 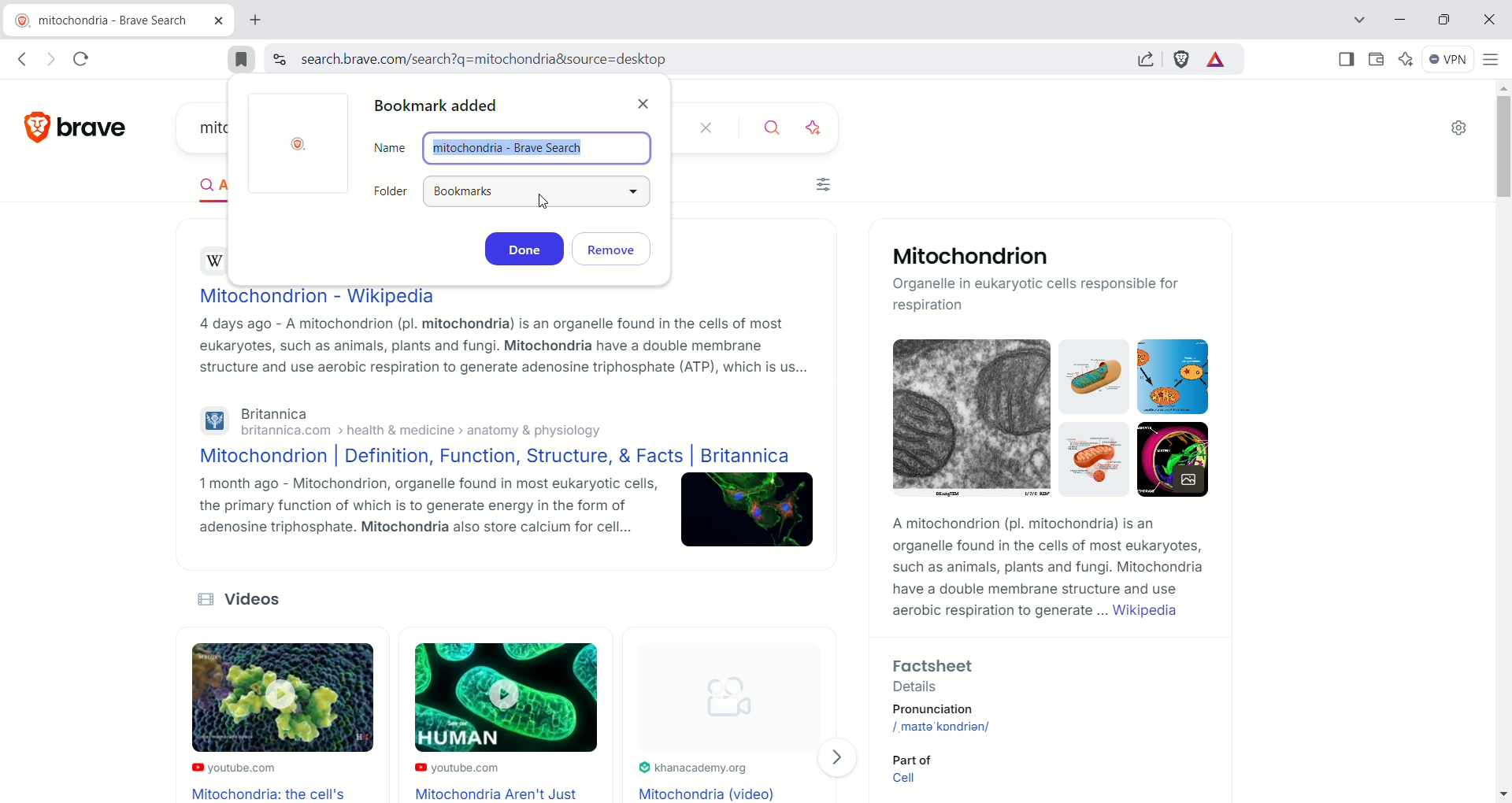 What do you see at coordinates (909, 758) in the screenshot?
I see `Part of` at bounding box center [909, 758].